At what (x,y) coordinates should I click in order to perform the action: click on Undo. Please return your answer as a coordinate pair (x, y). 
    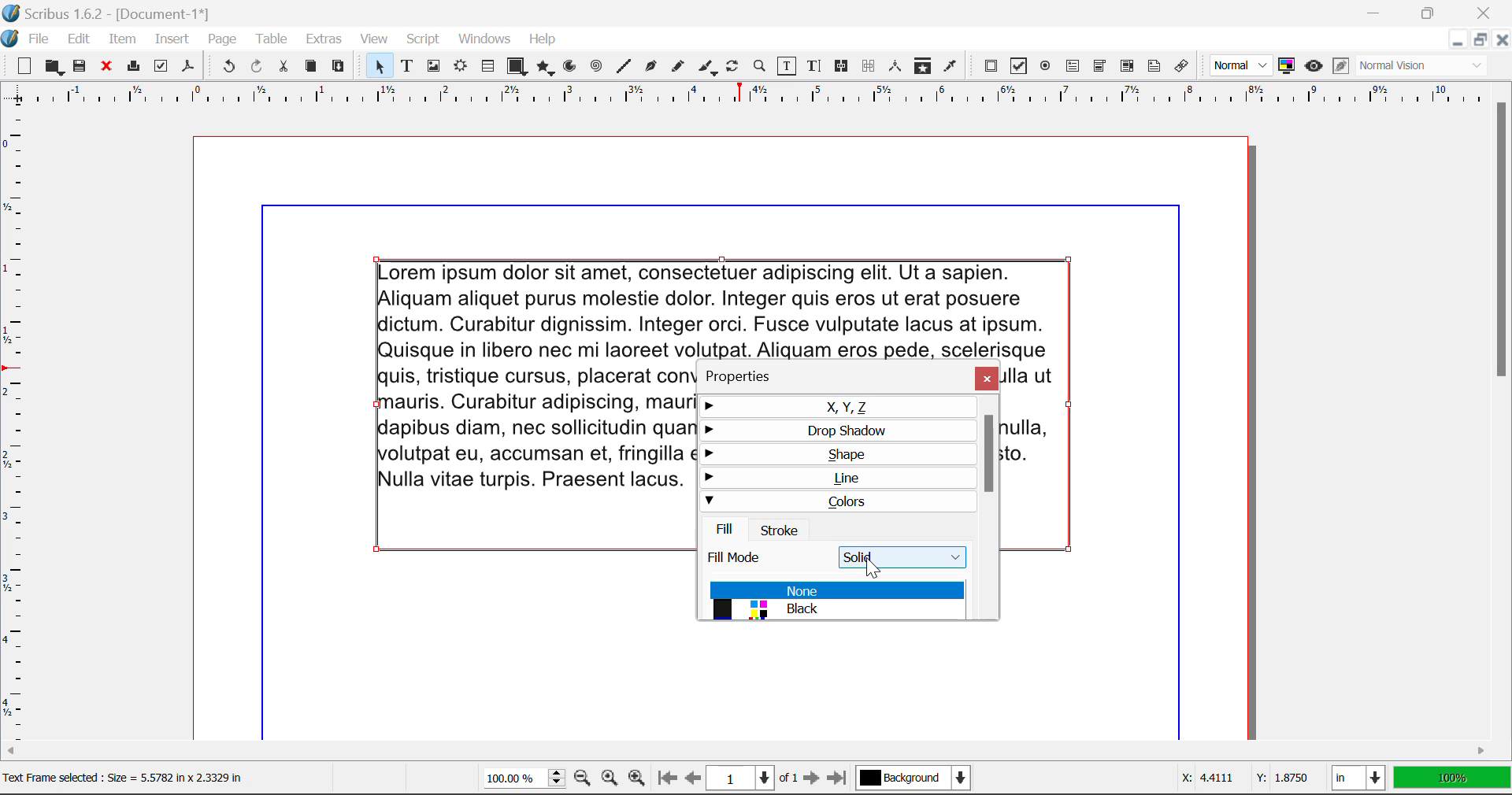
    Looking at the image, I should click on (228, 68).